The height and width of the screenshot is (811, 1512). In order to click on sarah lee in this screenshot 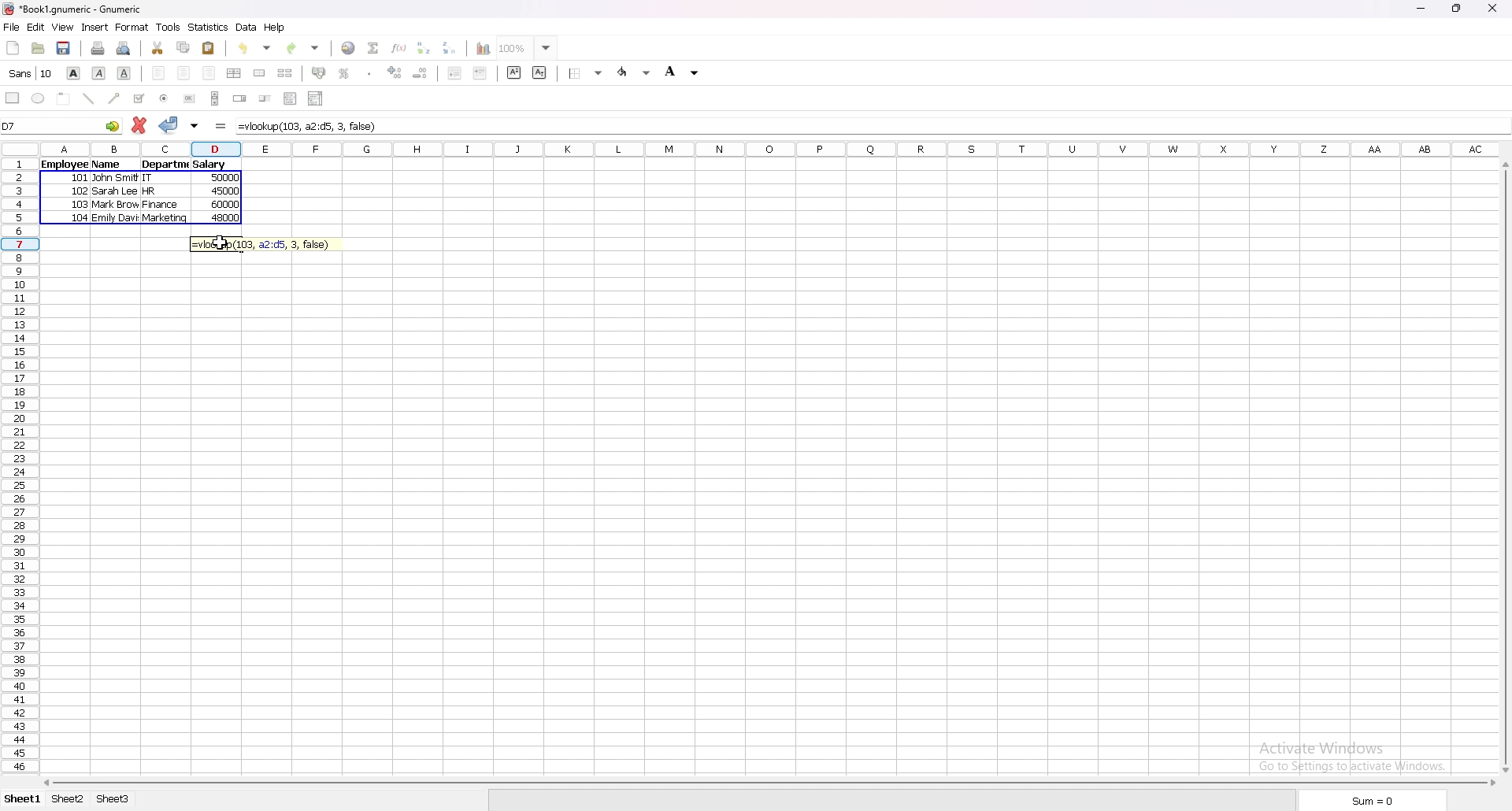, I will do `click(116, 191)`.